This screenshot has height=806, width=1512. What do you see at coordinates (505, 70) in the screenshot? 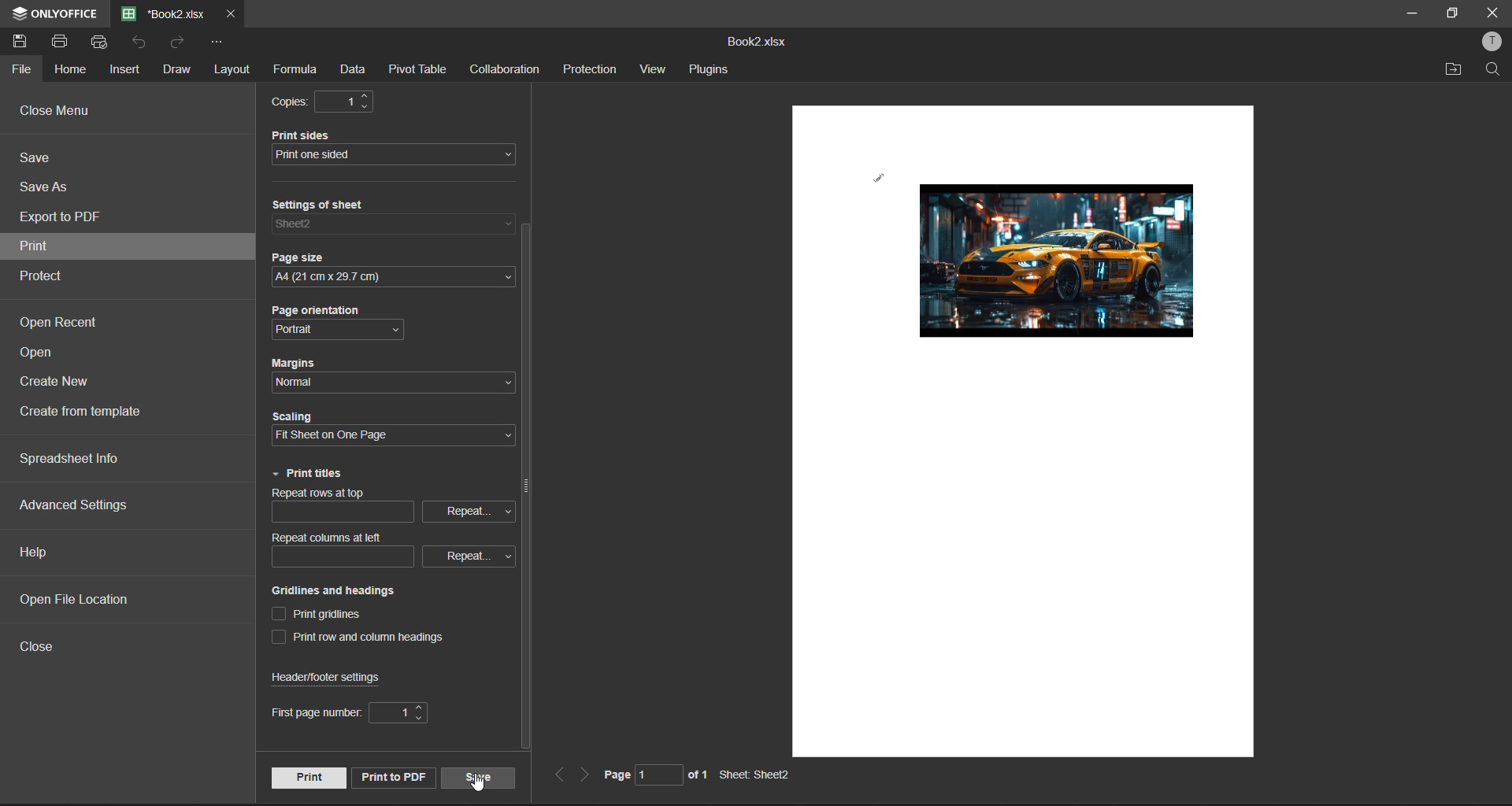
I see `collaboration` at bounding box center [505, 70].